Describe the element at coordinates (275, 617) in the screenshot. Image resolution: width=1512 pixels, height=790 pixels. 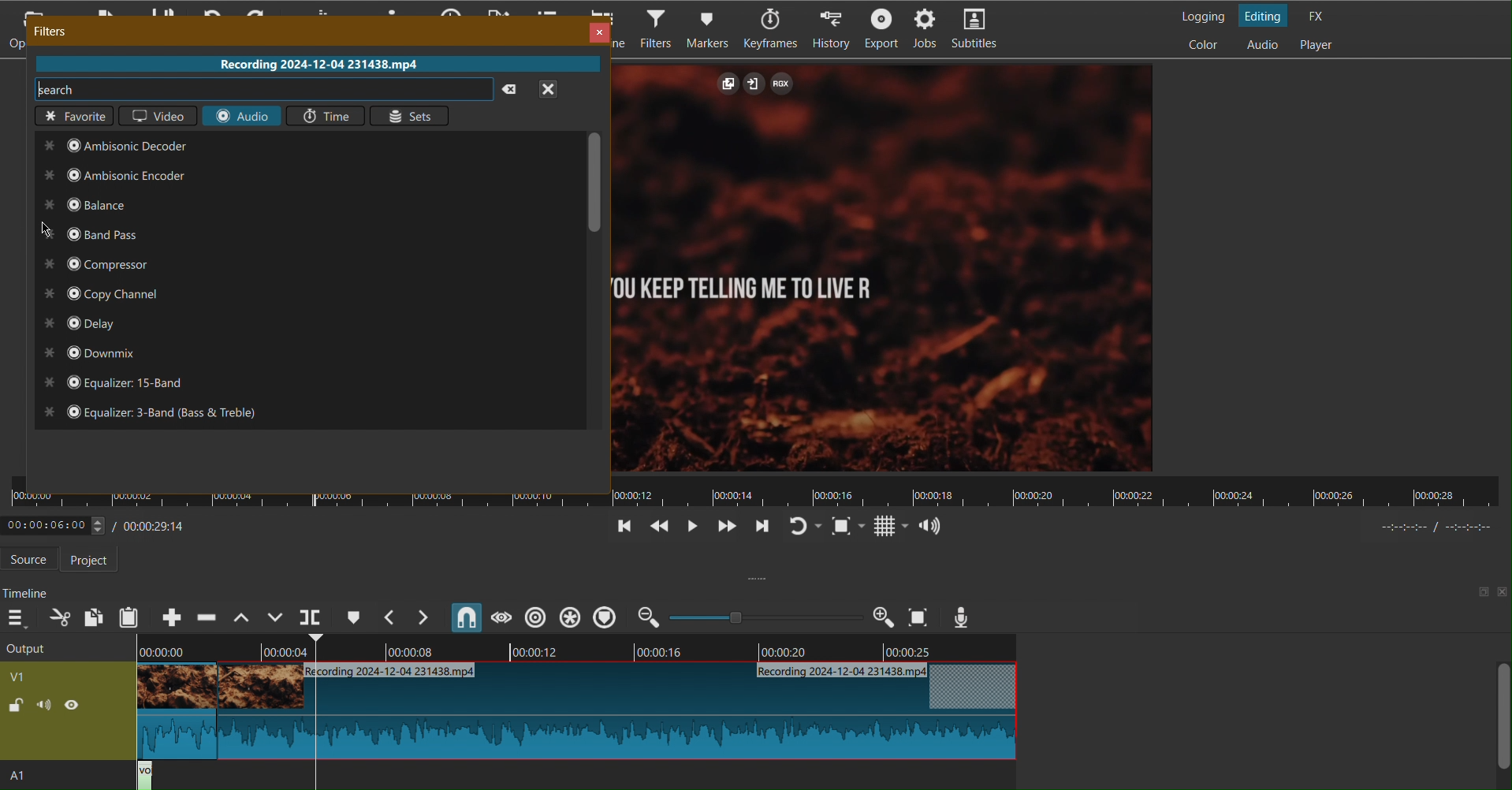
I see `Overwrite` at that location.